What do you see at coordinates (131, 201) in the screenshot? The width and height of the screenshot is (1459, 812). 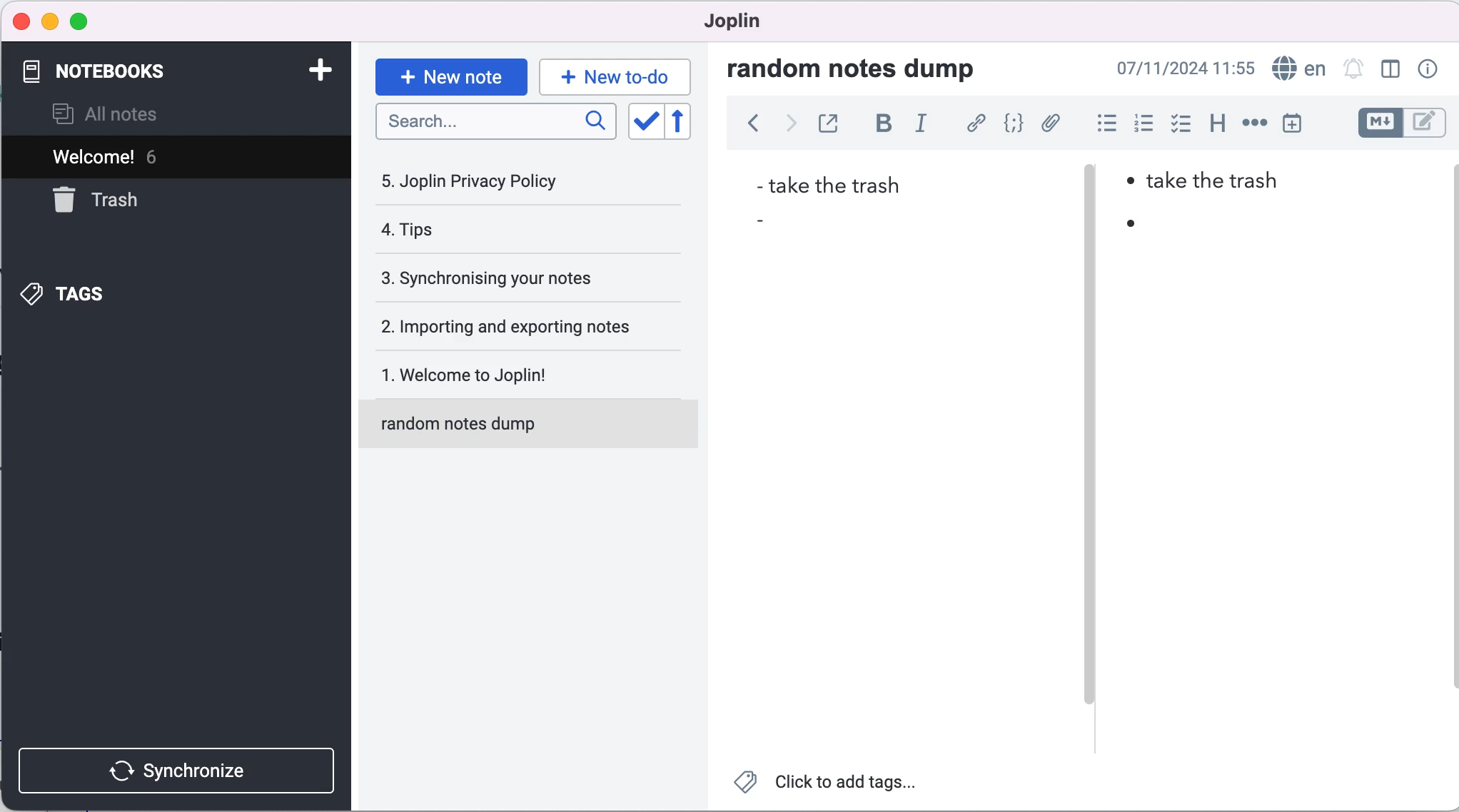 I see `trash` at bounding box center [131, 201].